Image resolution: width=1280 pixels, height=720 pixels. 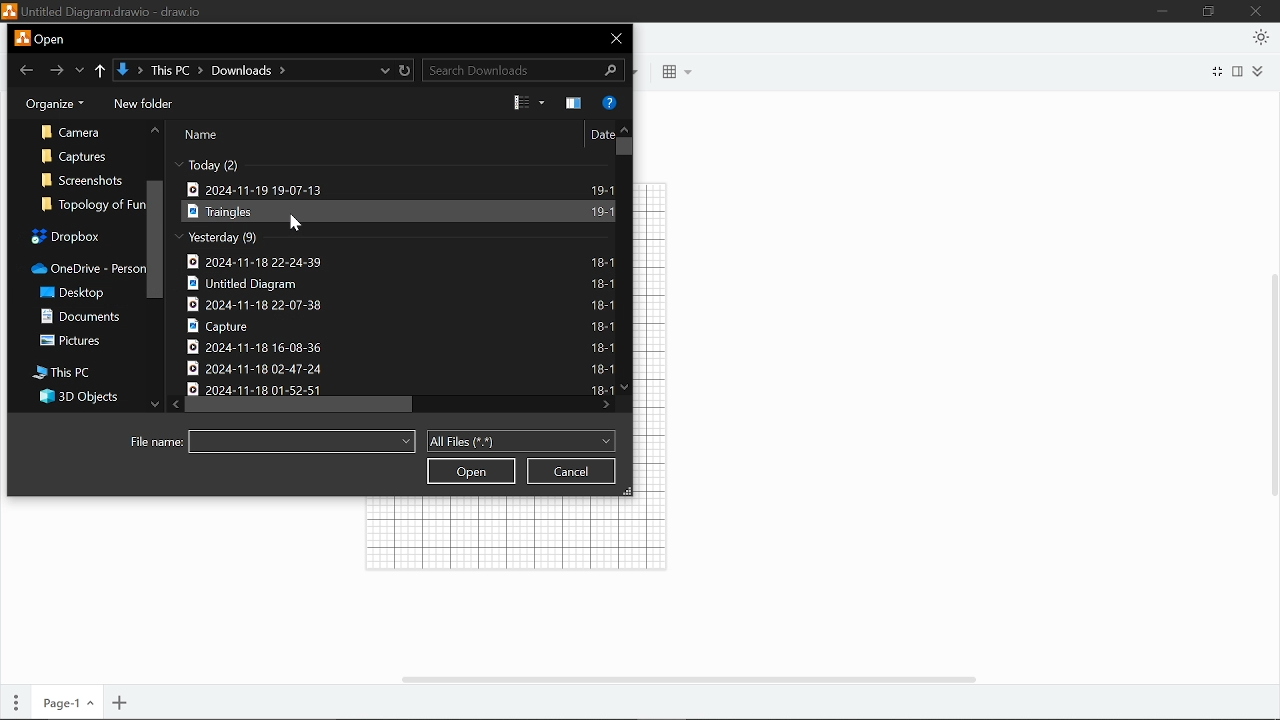 I want to click on New folder, so click(x=142, y=104).